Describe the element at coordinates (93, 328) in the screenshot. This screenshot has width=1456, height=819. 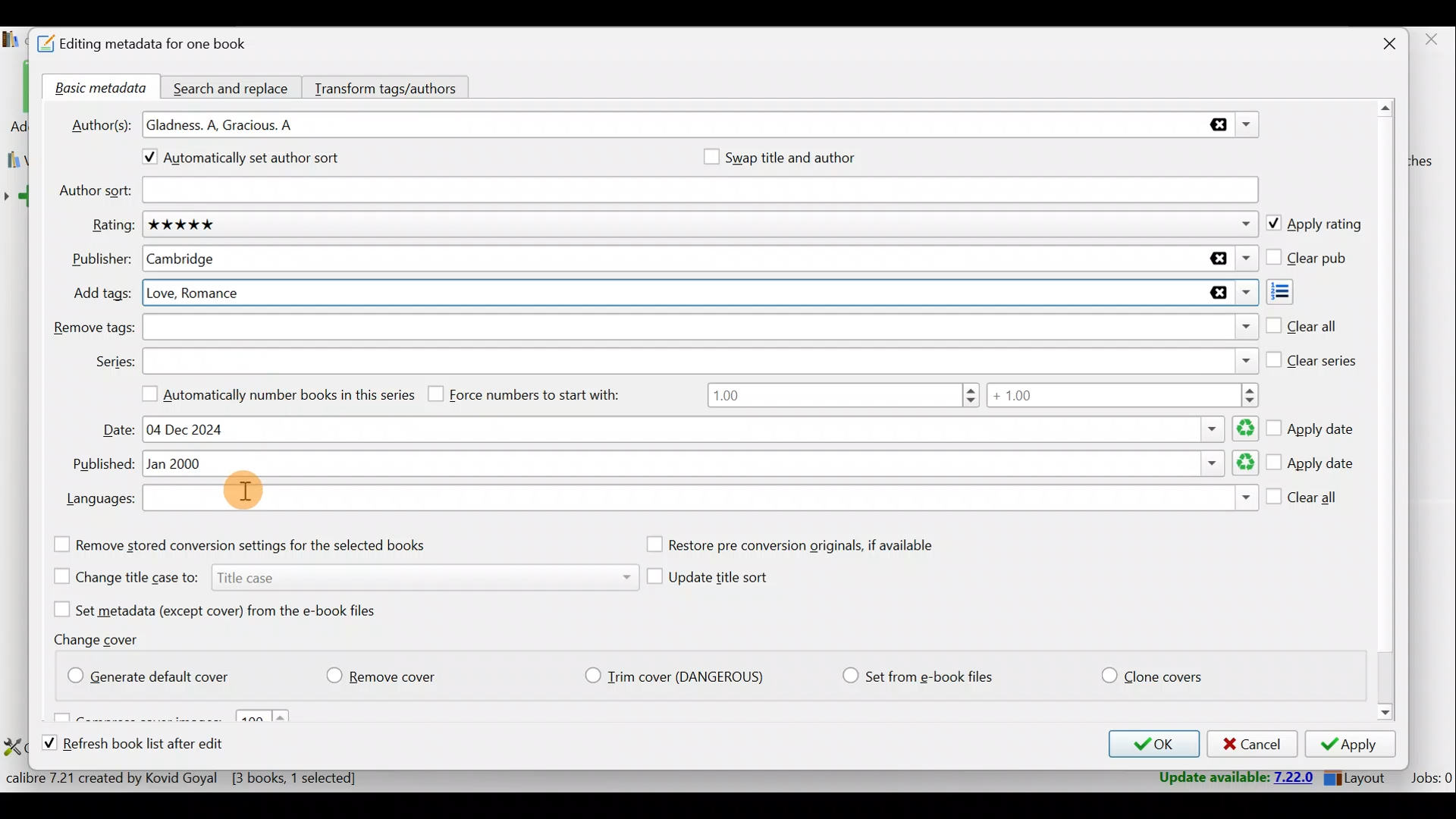
I see `Remove tags:` at that location.